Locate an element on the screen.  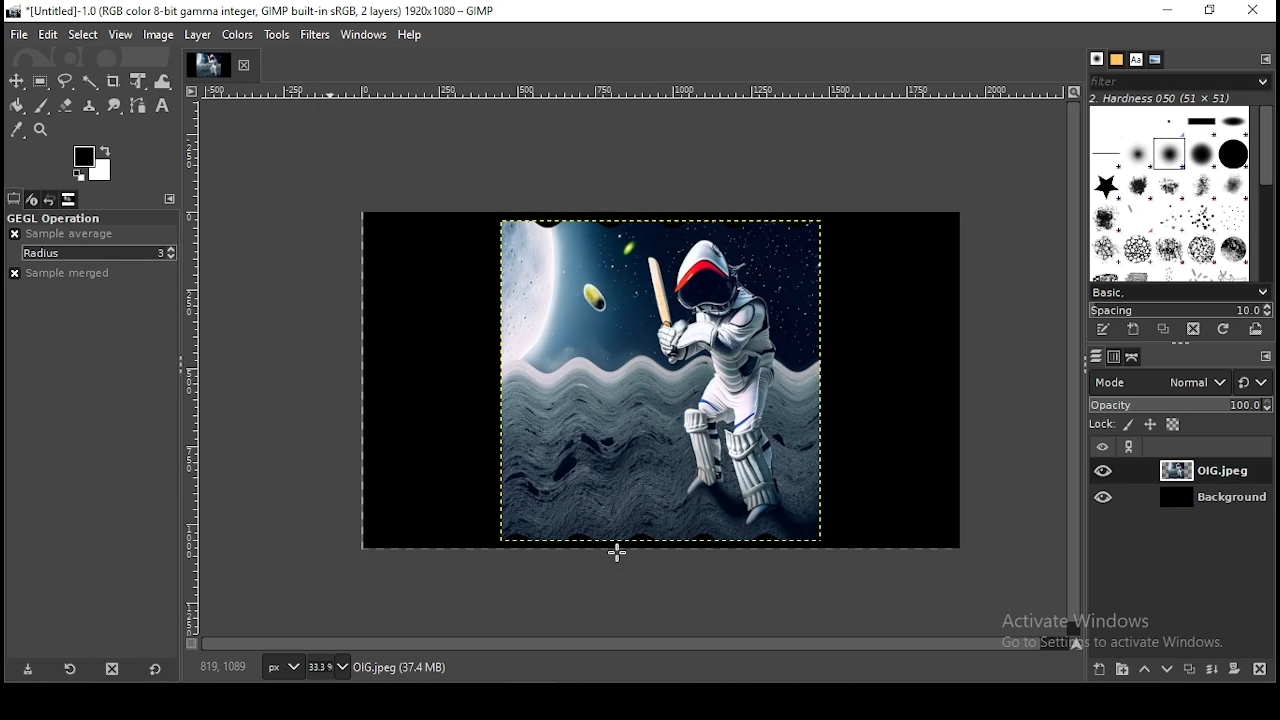
close is located at coordinates (249, 63).